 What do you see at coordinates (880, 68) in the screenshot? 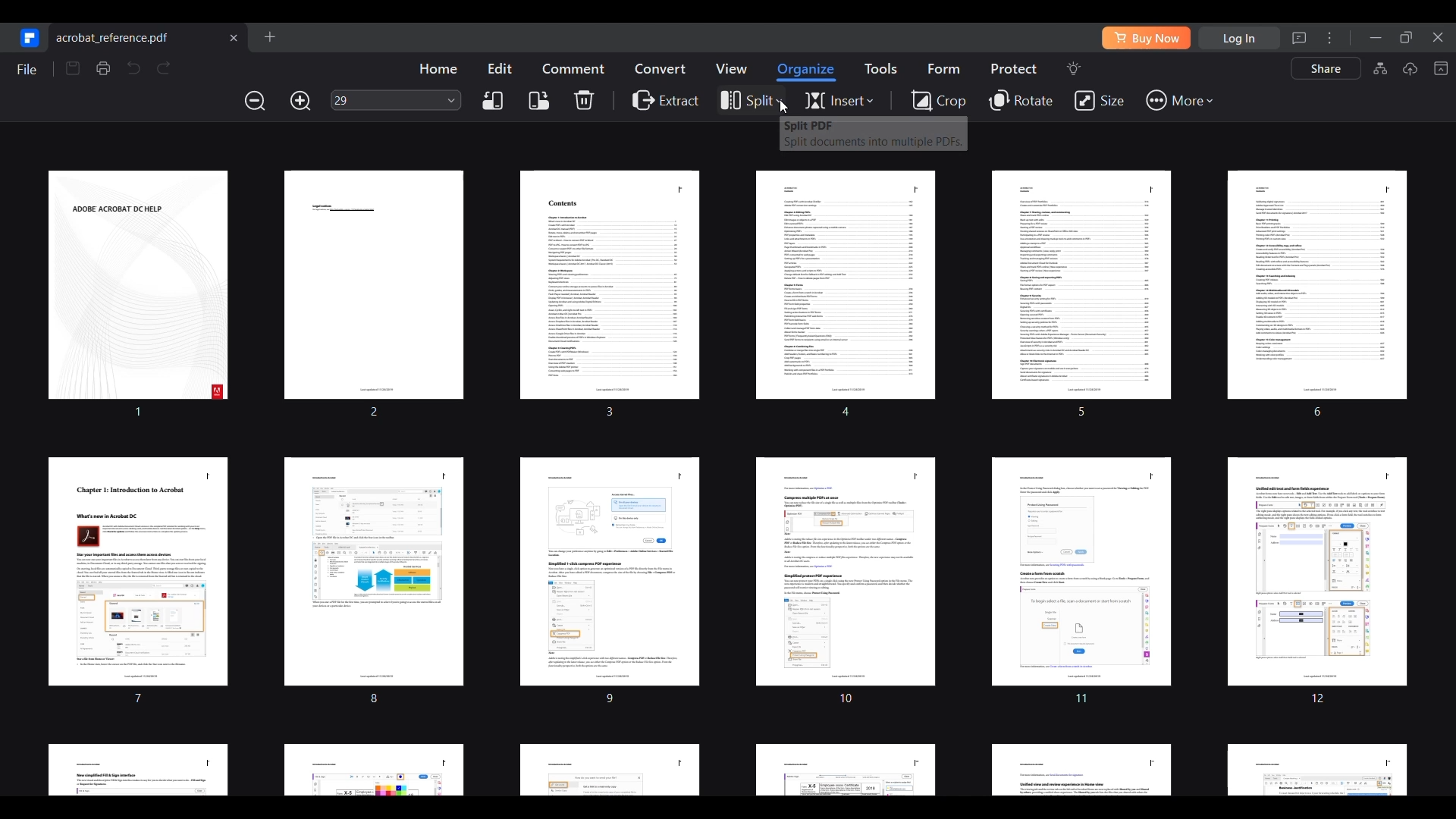
I see `Tools` at bounding box center [880, 68].